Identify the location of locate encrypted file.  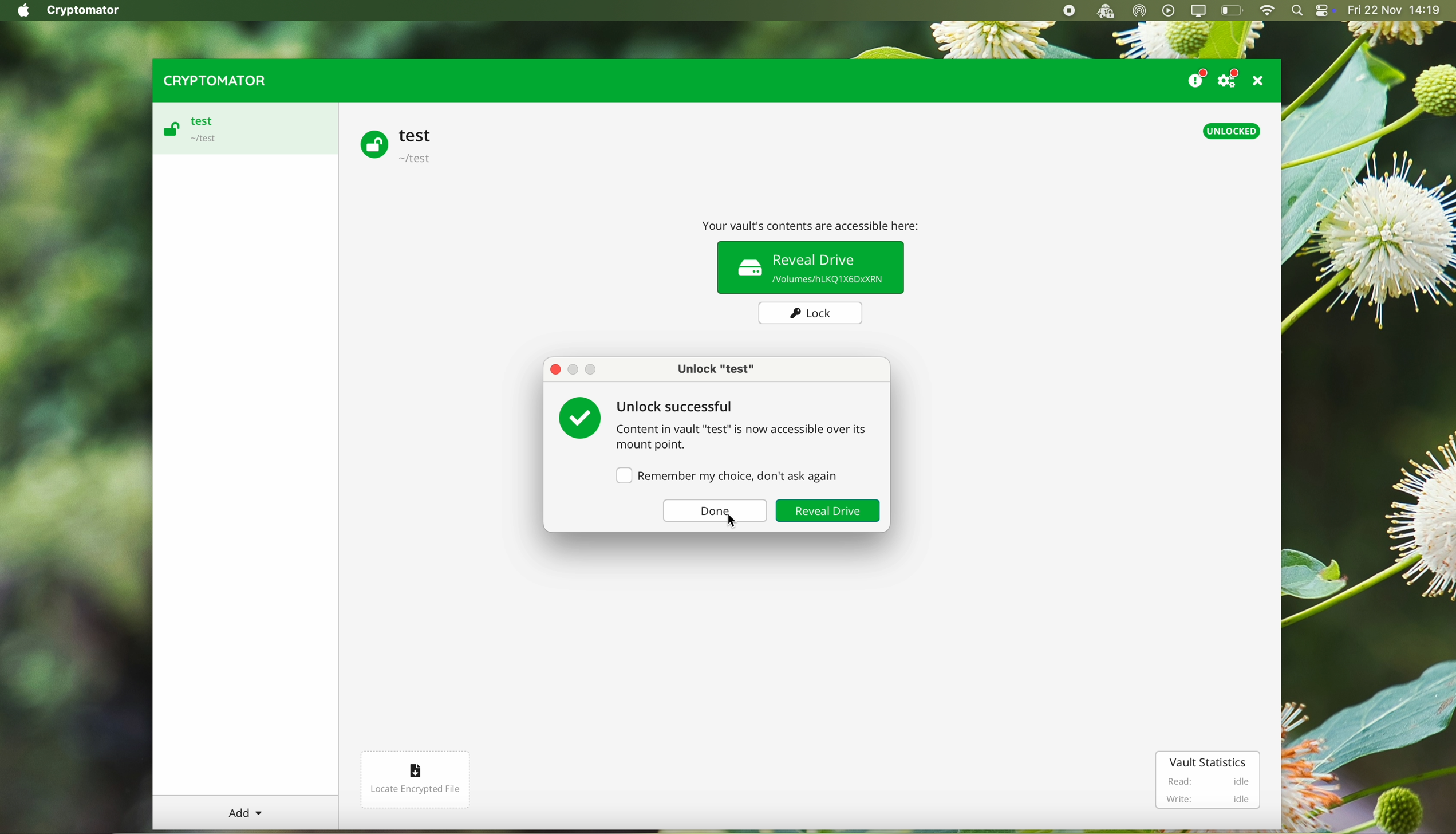
(417, 780).